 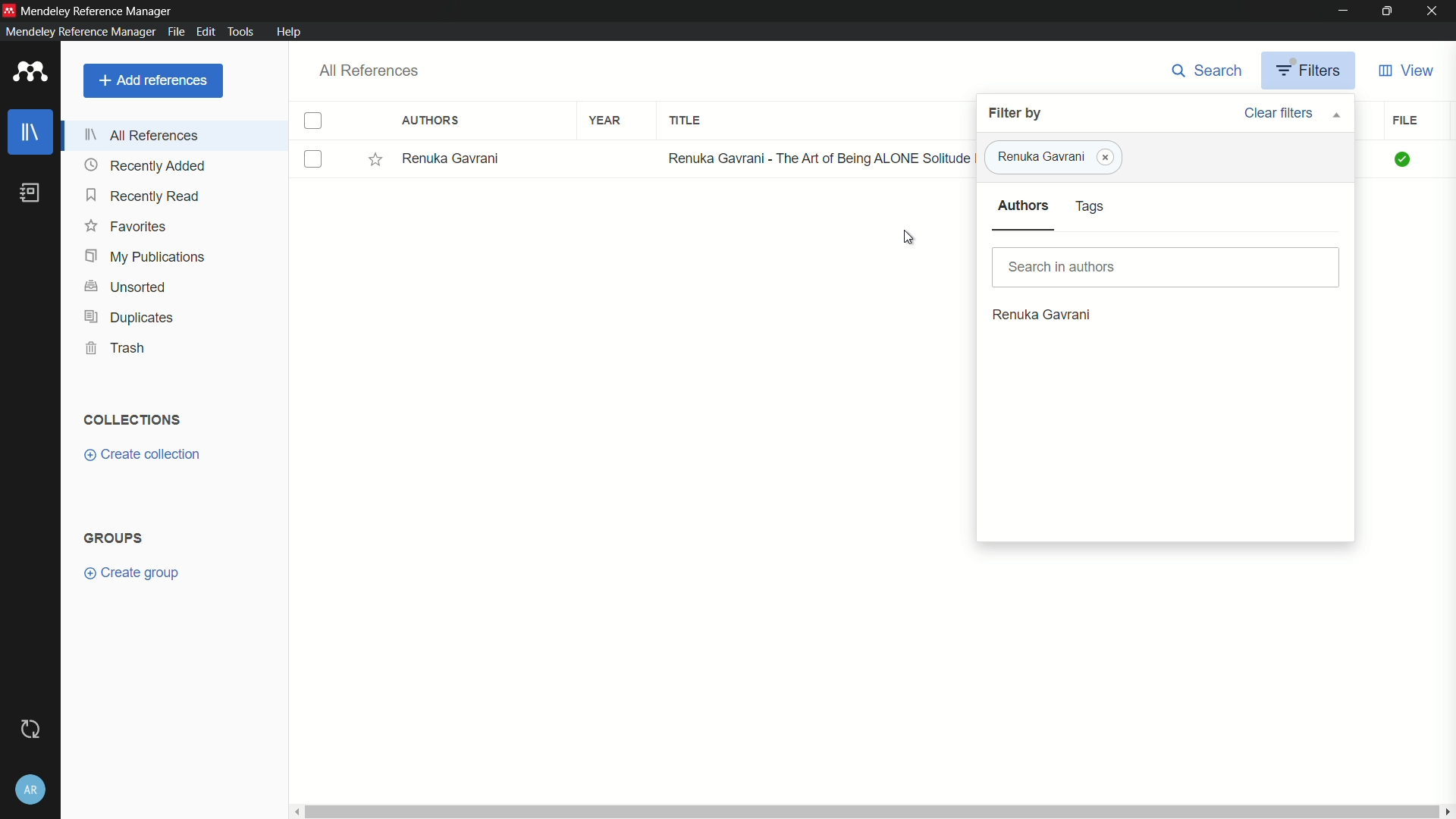 What do you see at coordinates (430, 119) in the screenshot?
I see `authors` at bounding box center [430, 119].